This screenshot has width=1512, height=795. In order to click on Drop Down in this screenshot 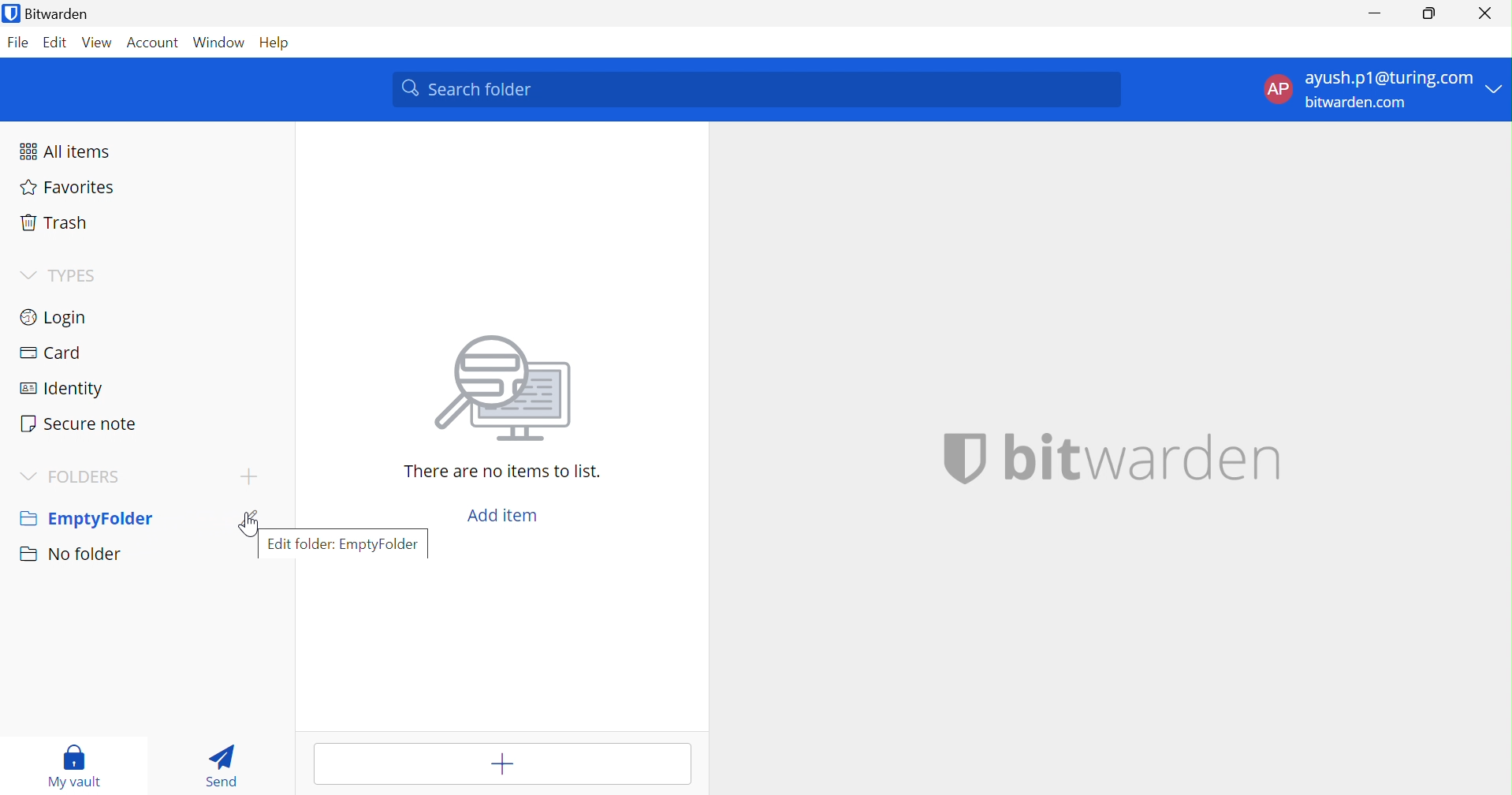, I will do `click(26, 274)`.